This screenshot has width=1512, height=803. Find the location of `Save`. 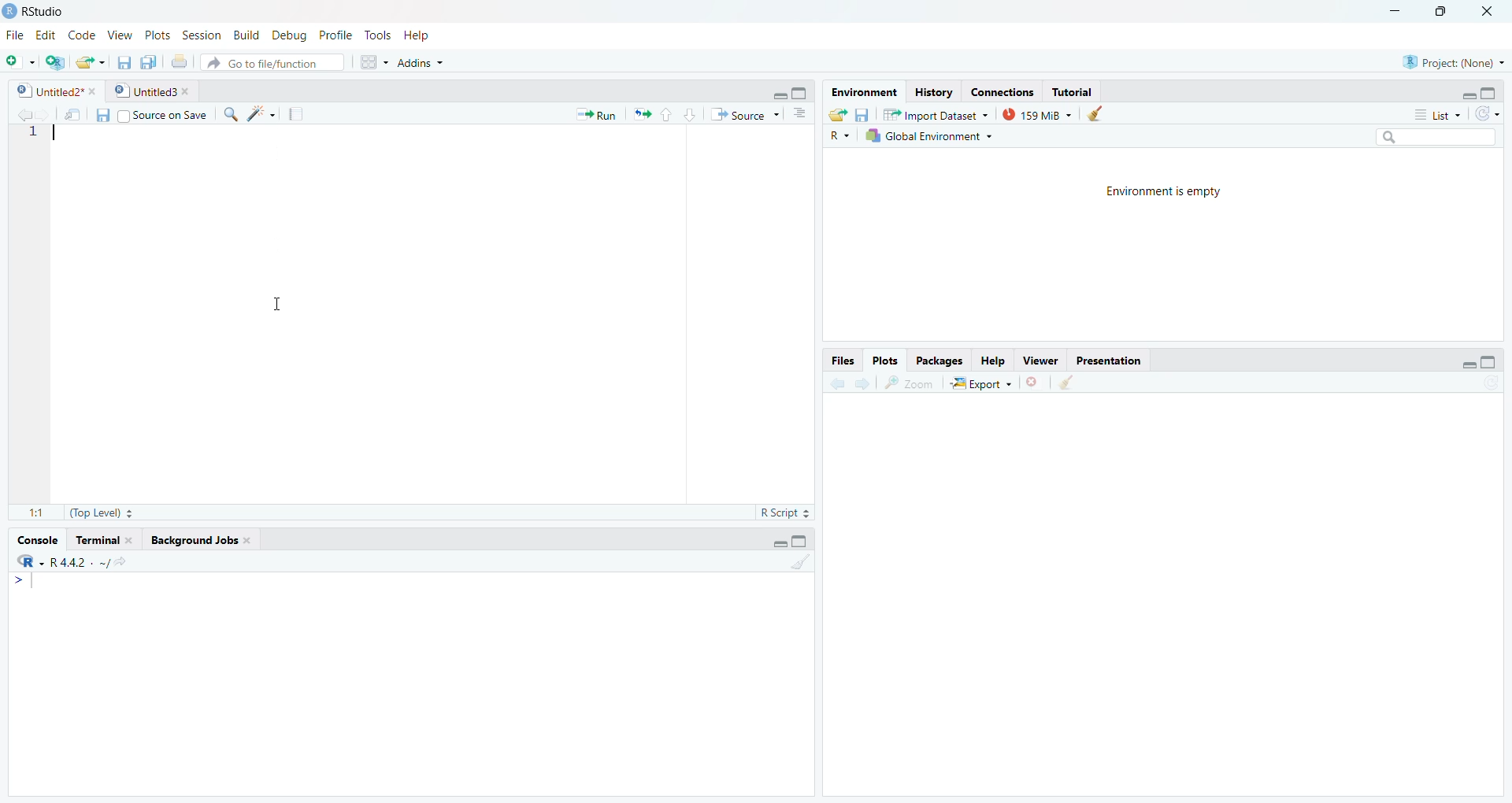

Save is located at coordinates (861, 115).